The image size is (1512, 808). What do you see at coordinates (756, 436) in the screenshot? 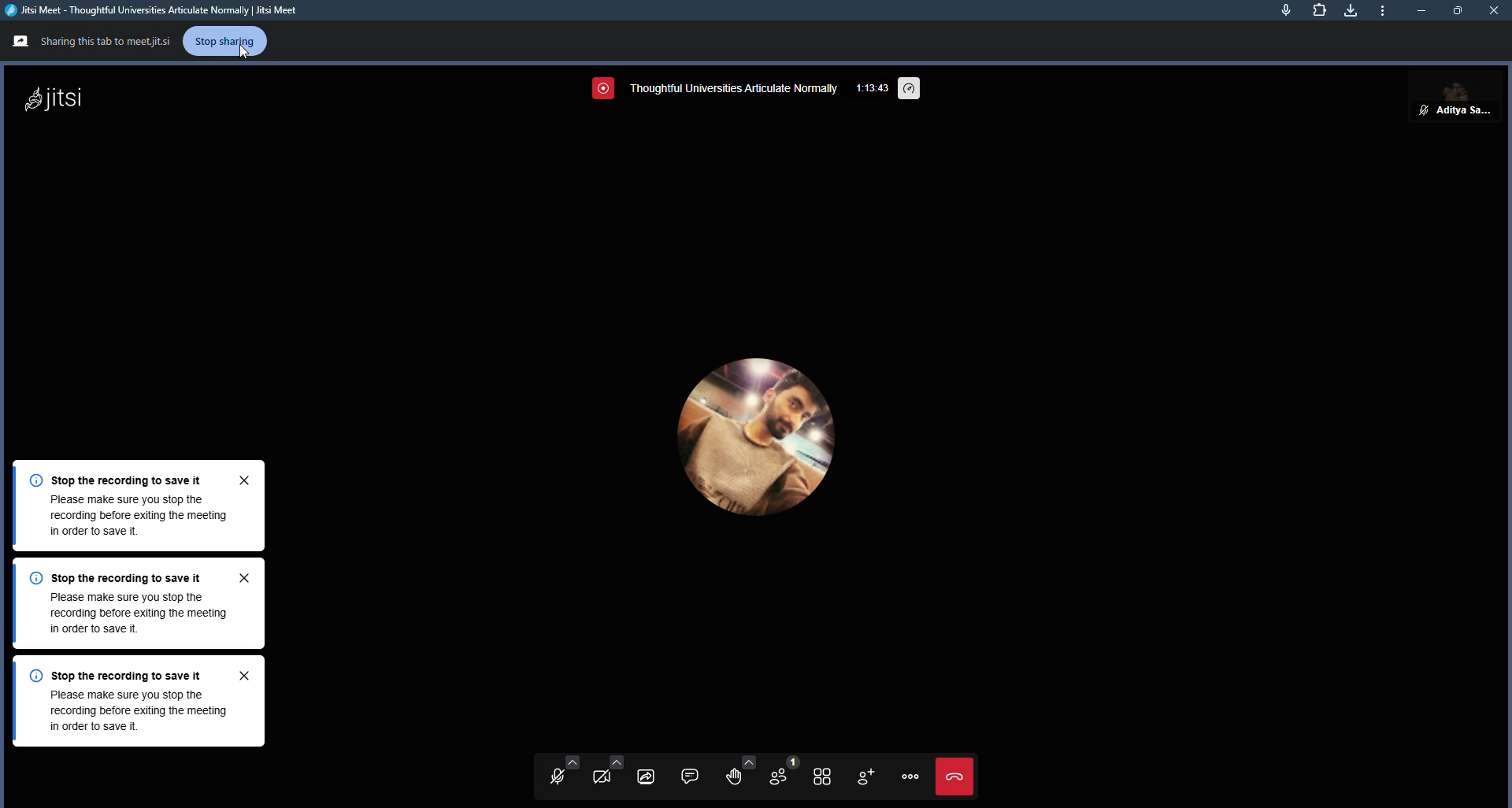
I see `profile picture` at bounding box center [756, 436].